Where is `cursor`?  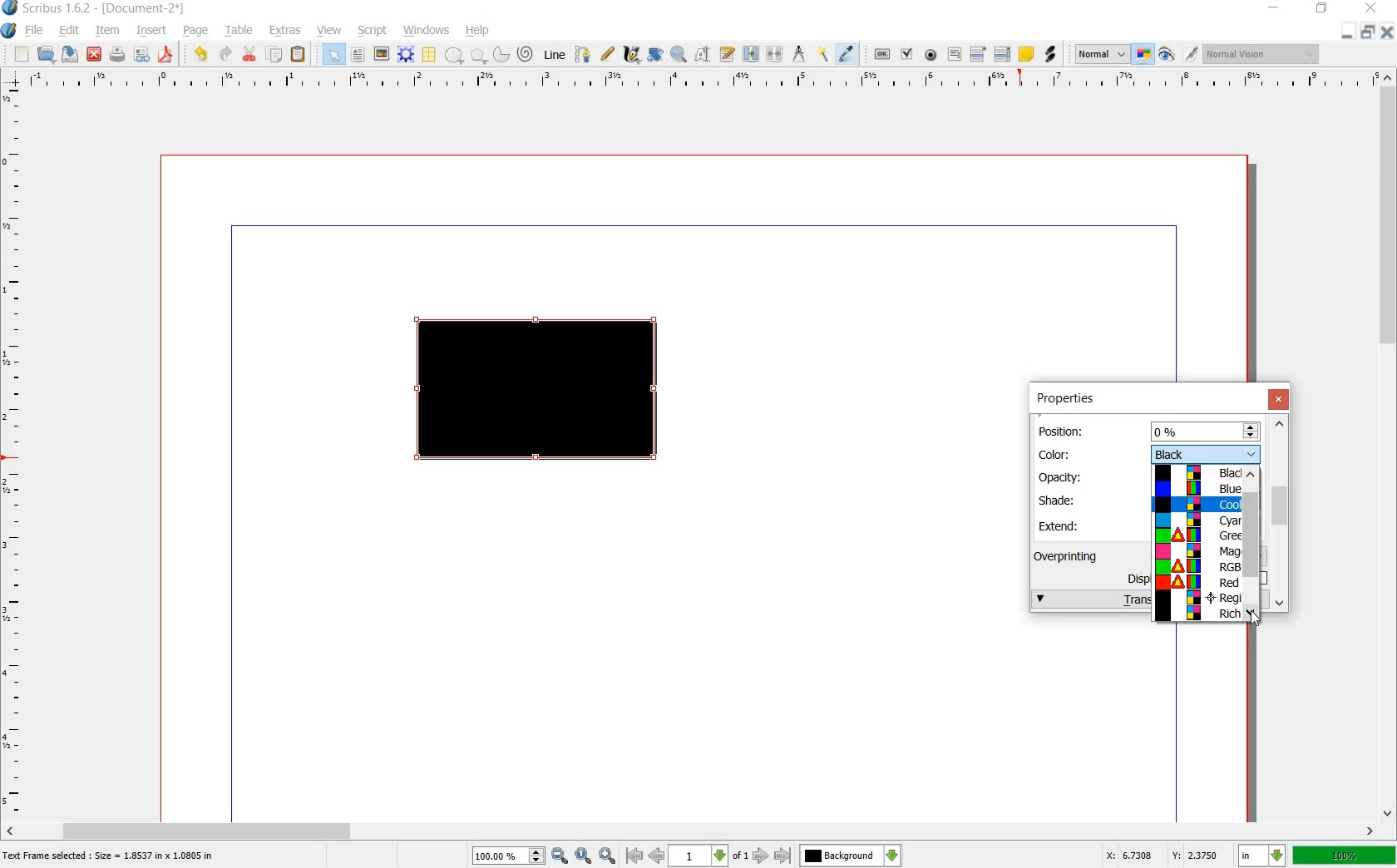 cursor is located at coordinates (1256, 620).